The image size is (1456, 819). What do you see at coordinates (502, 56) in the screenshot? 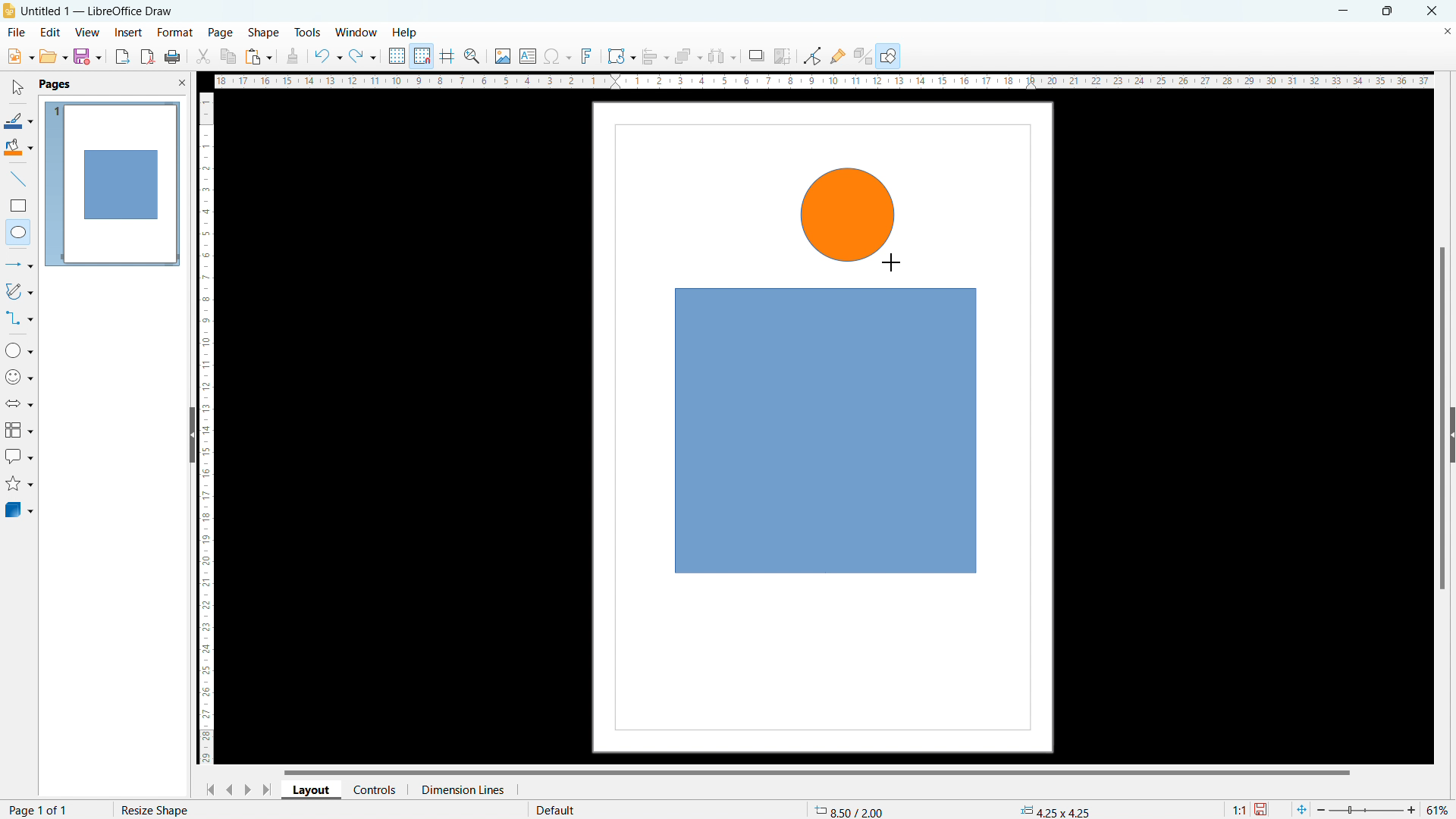
I see `insert image` at bounding box center [502, 56].